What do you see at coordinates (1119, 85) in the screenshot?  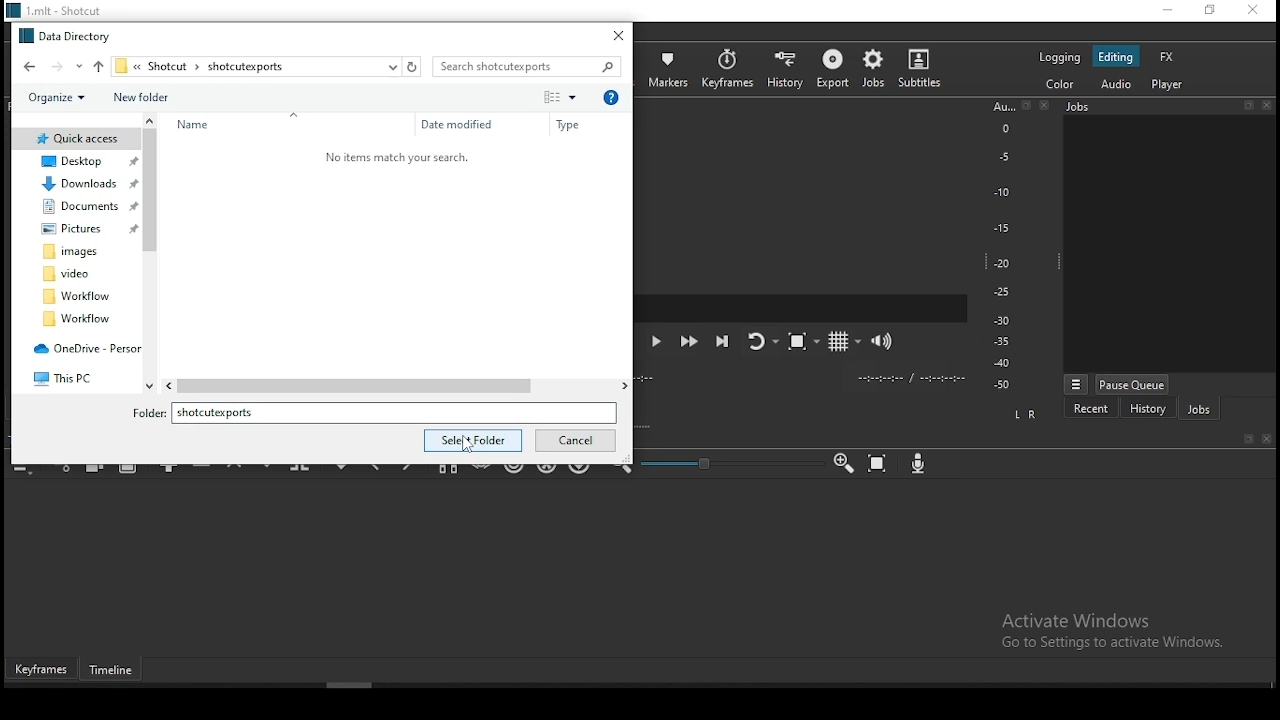 I see `audio` at bounding box center [1119, 85].